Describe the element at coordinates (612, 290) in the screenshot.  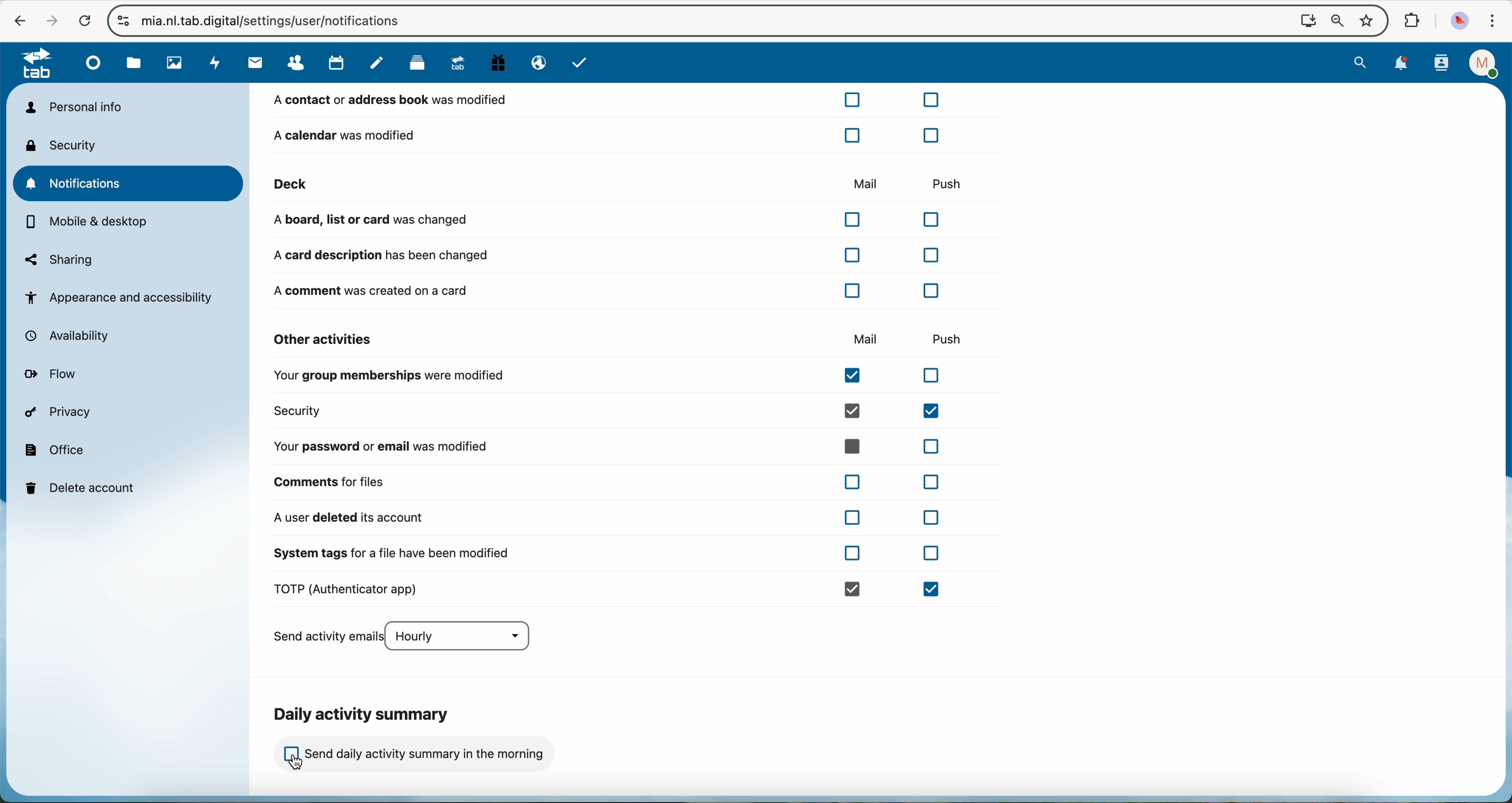
I see `a comment was created on a card` at that location.